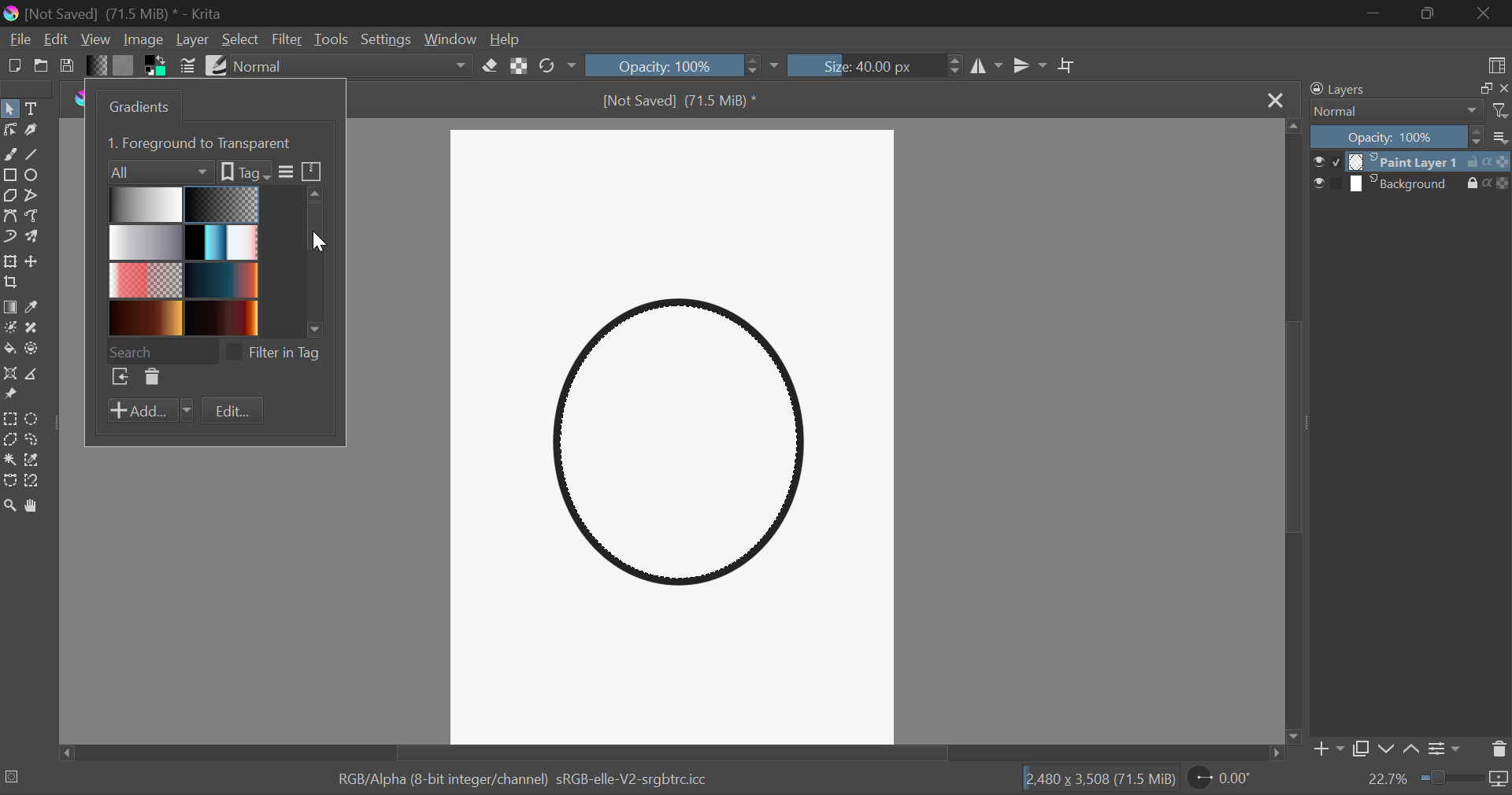 This screenshot has width=1512, height=795. Describe the element at coordinates (1405, 184) in the screenshot. I see `layer 2` at that location.